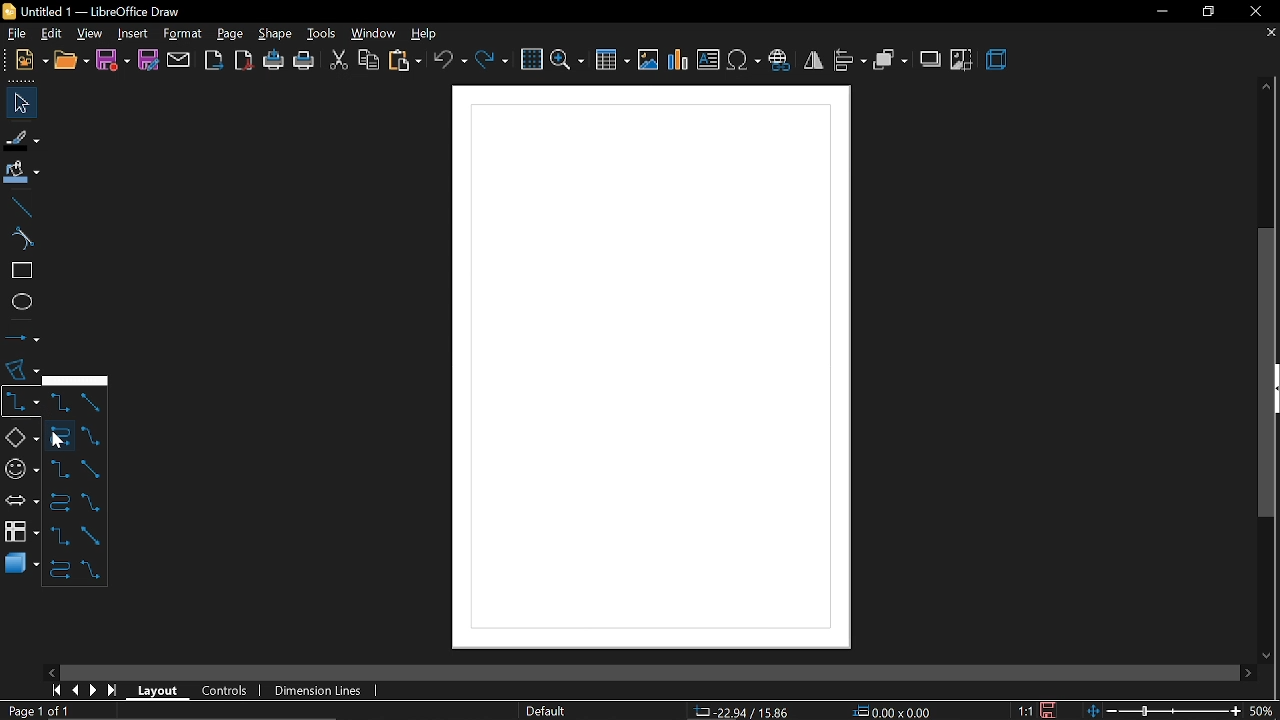 The height and width of the screenshot is (720, 1280). I want to click on move left, so click(51, 671).